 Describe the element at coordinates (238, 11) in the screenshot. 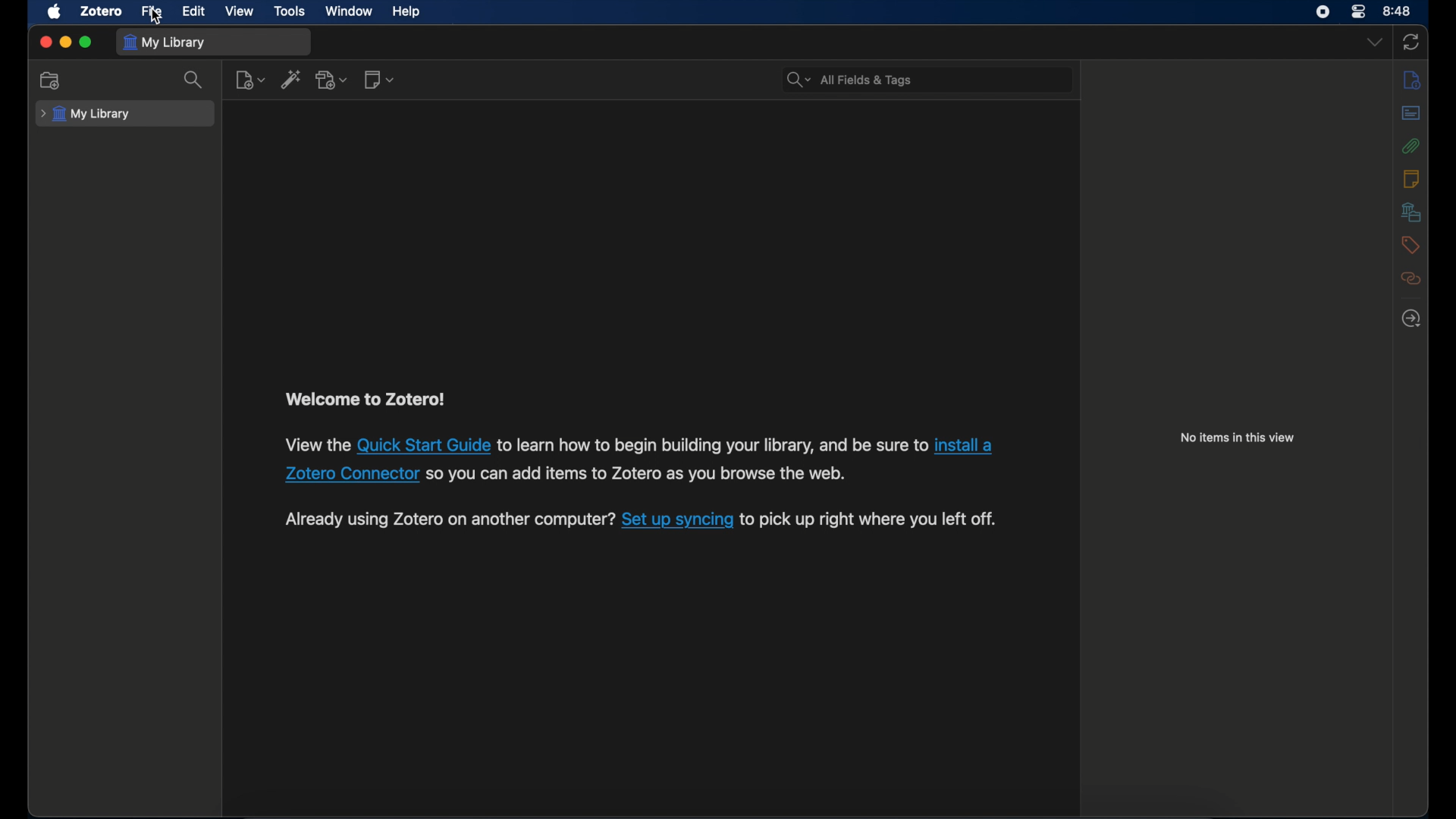

I see `view` at that location.